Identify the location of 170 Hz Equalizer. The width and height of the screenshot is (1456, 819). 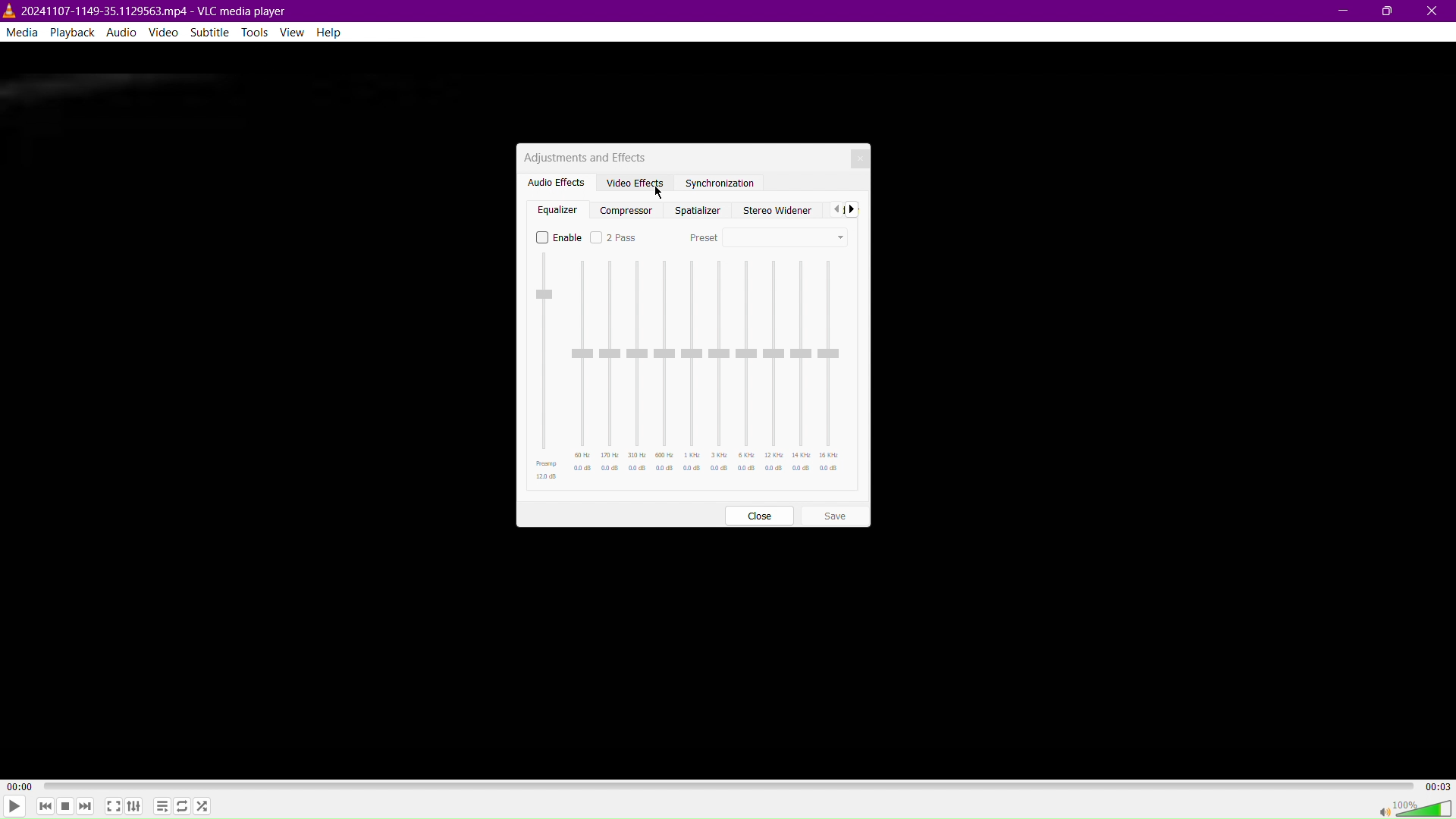
(611, 369).